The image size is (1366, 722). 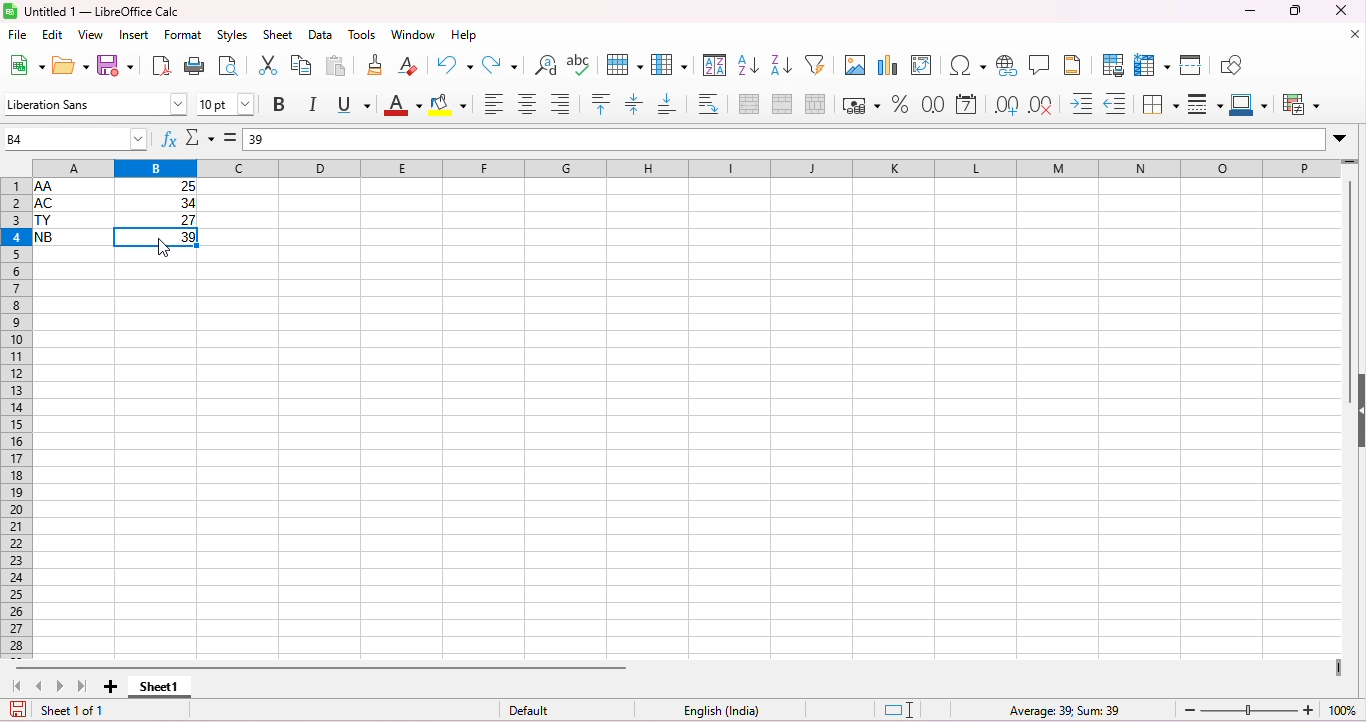 I want to click on print preview, so click(x=230, y=66).